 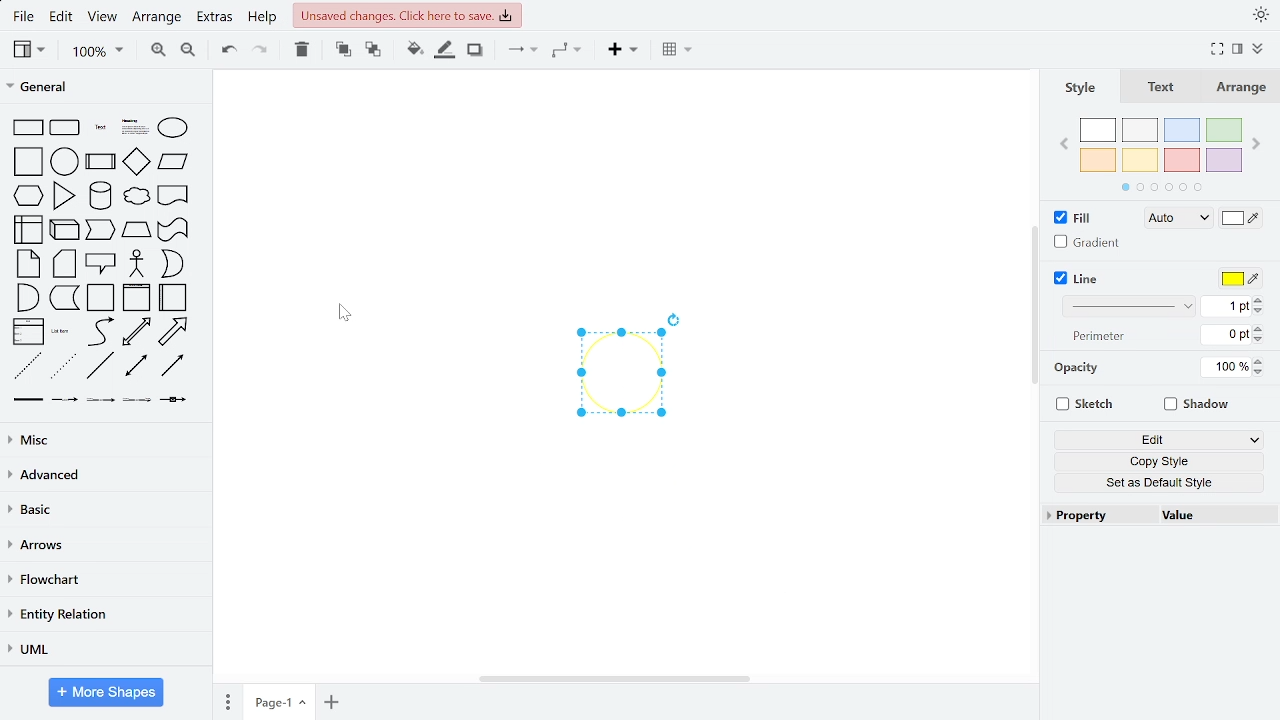 I want to click on sketch, so click(x=1090, y=404).